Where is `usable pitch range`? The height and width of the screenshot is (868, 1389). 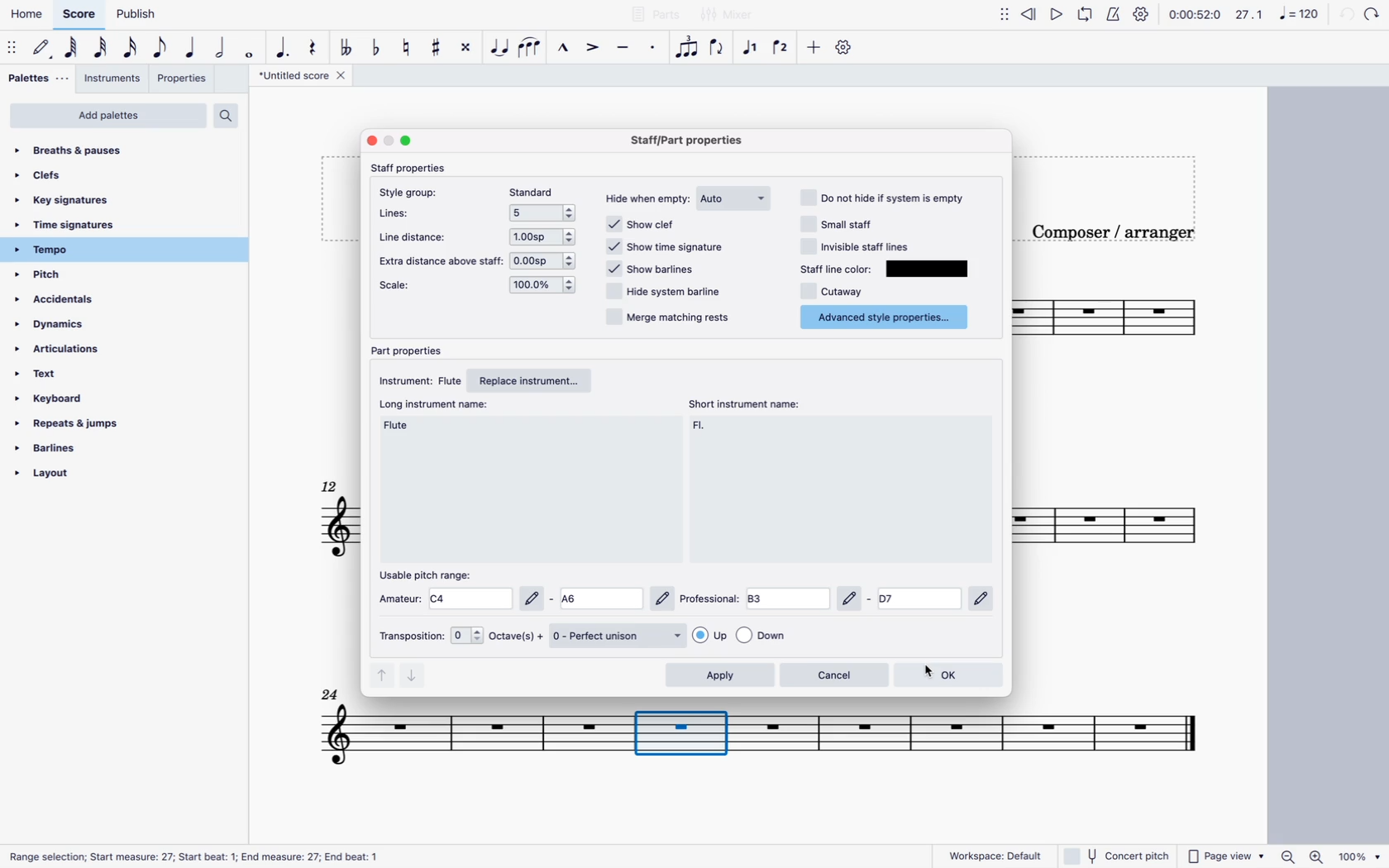 usable pitch range is located at coordinates (430, 572).